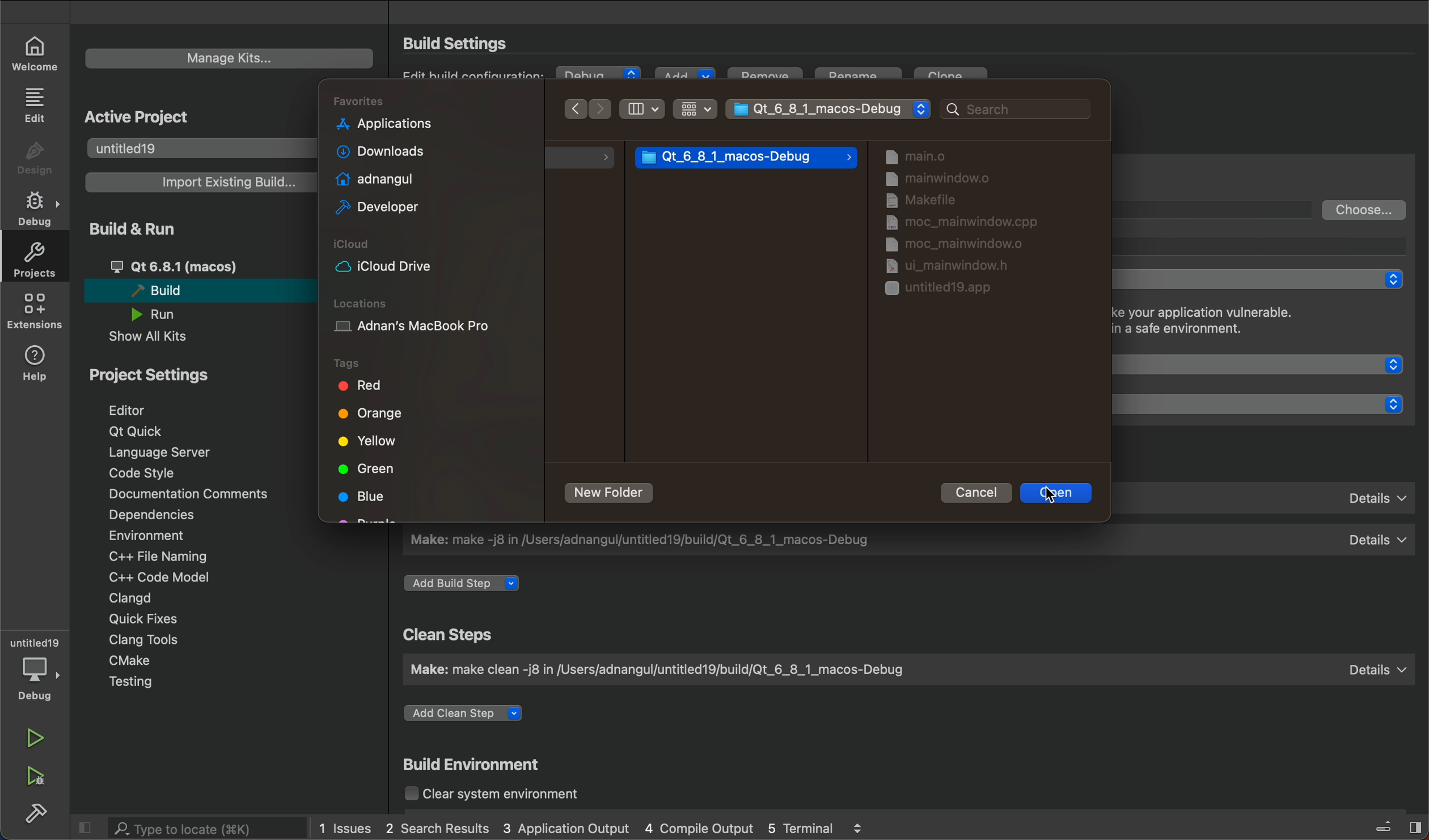 The image size is (1429, 840). I want to click on yellow, so click(365, 440).